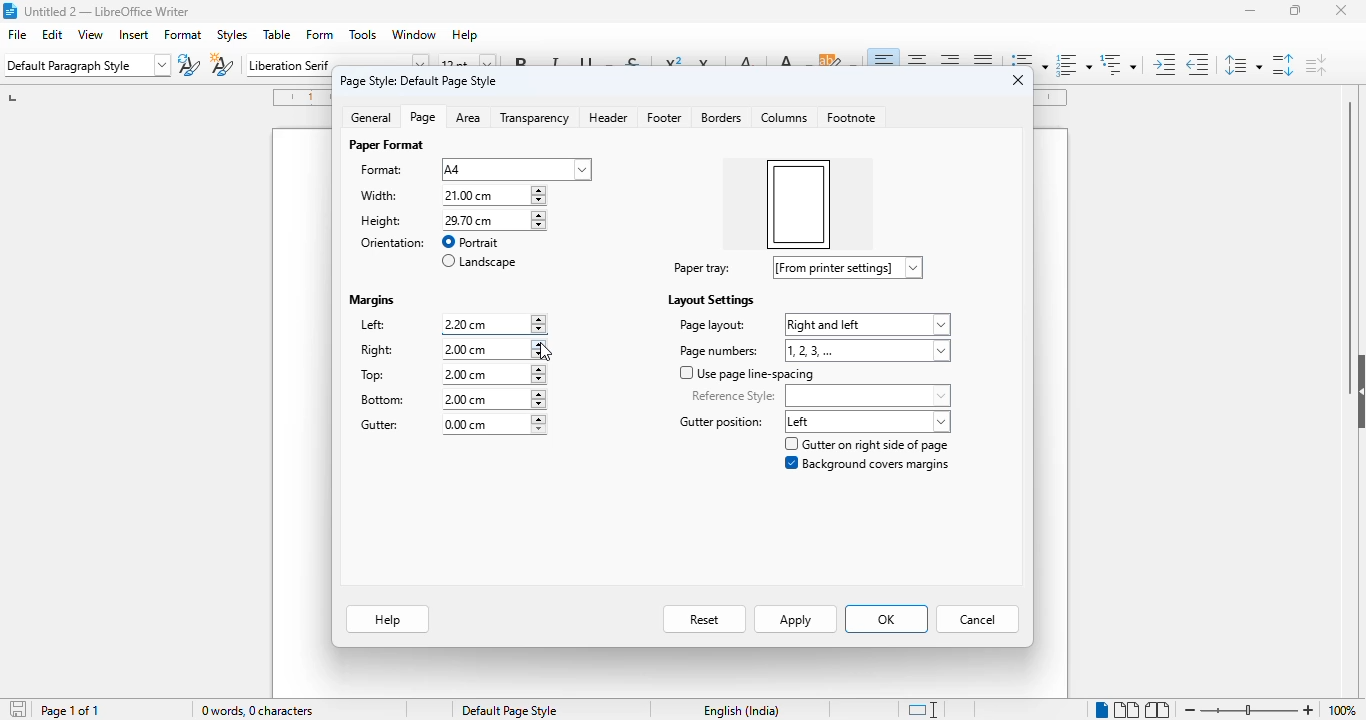  Describe the element at coordinates (1165, 65) in the screenshot. I see `increase indent` at that location.